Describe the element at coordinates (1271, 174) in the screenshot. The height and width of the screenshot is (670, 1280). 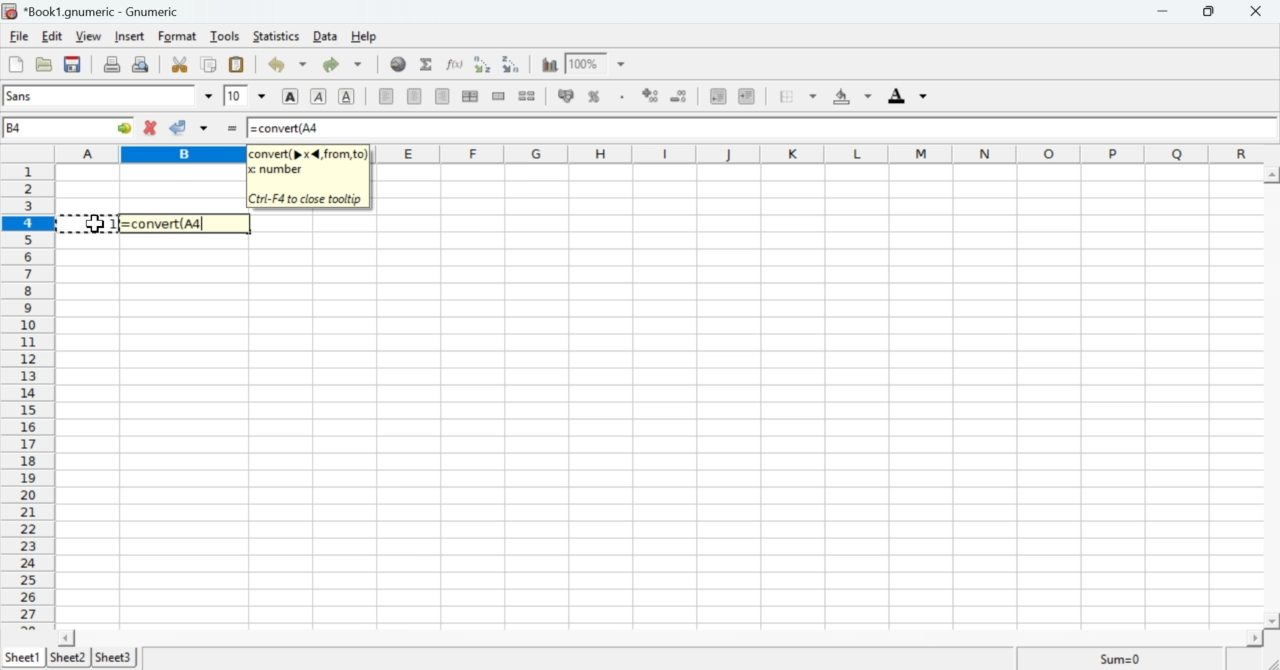
I see `scroll up` at that location.